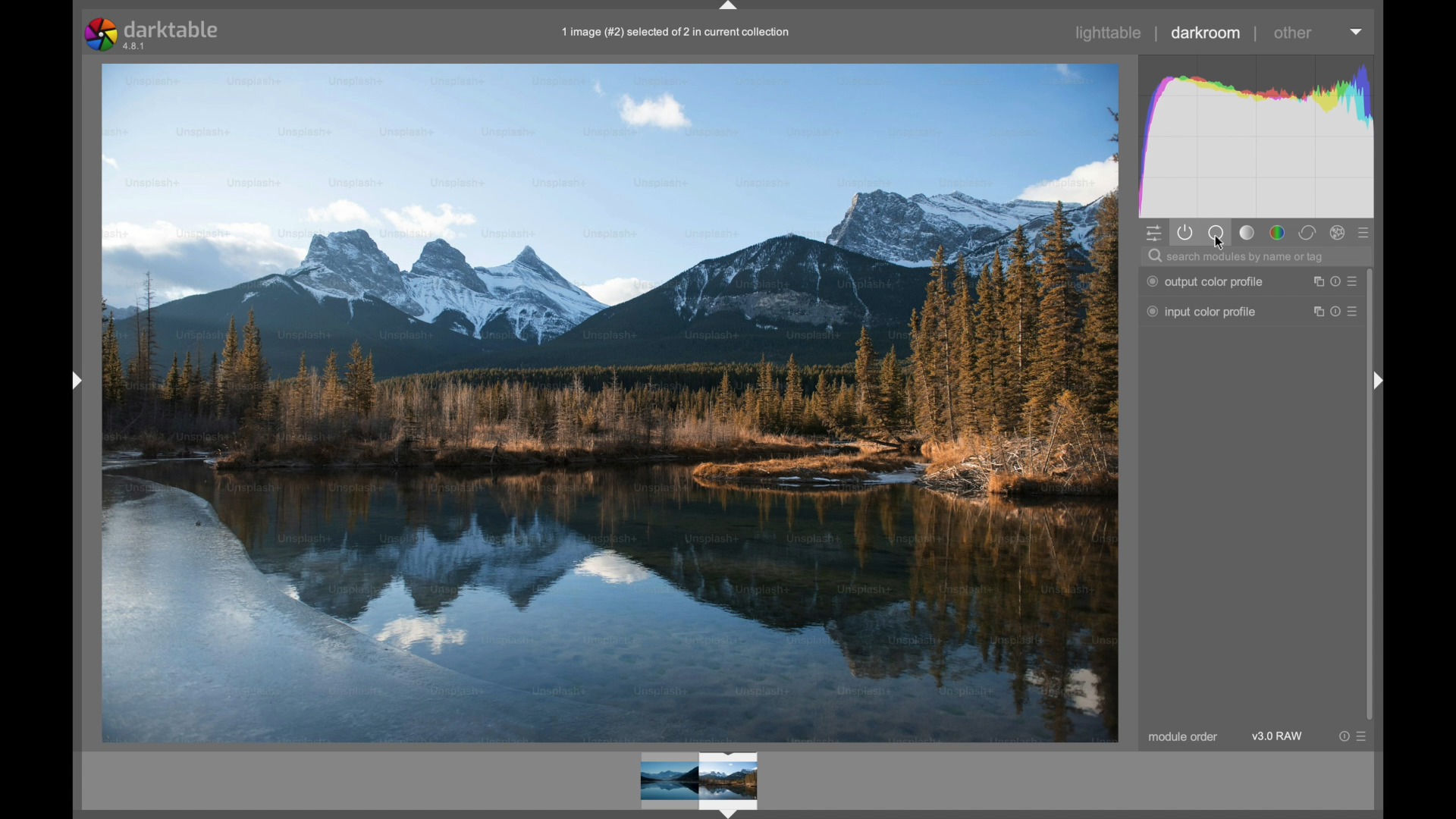 The height and width of the screenshot is (819, 1456). I want to click on module order, so click(1183, 738).